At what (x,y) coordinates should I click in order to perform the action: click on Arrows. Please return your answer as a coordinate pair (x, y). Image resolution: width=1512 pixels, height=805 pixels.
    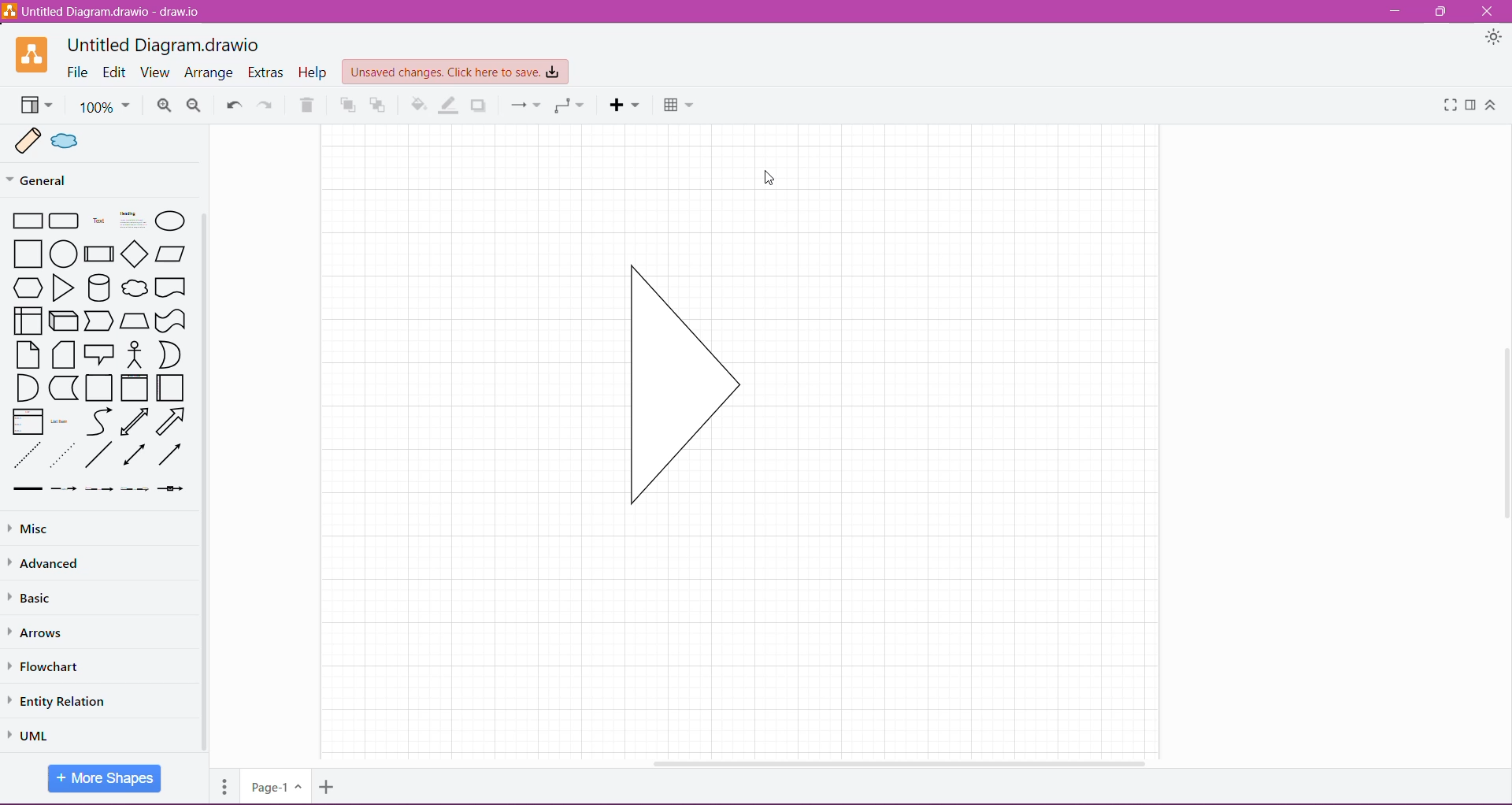
    Looking at the image, I should click on (43, 633).